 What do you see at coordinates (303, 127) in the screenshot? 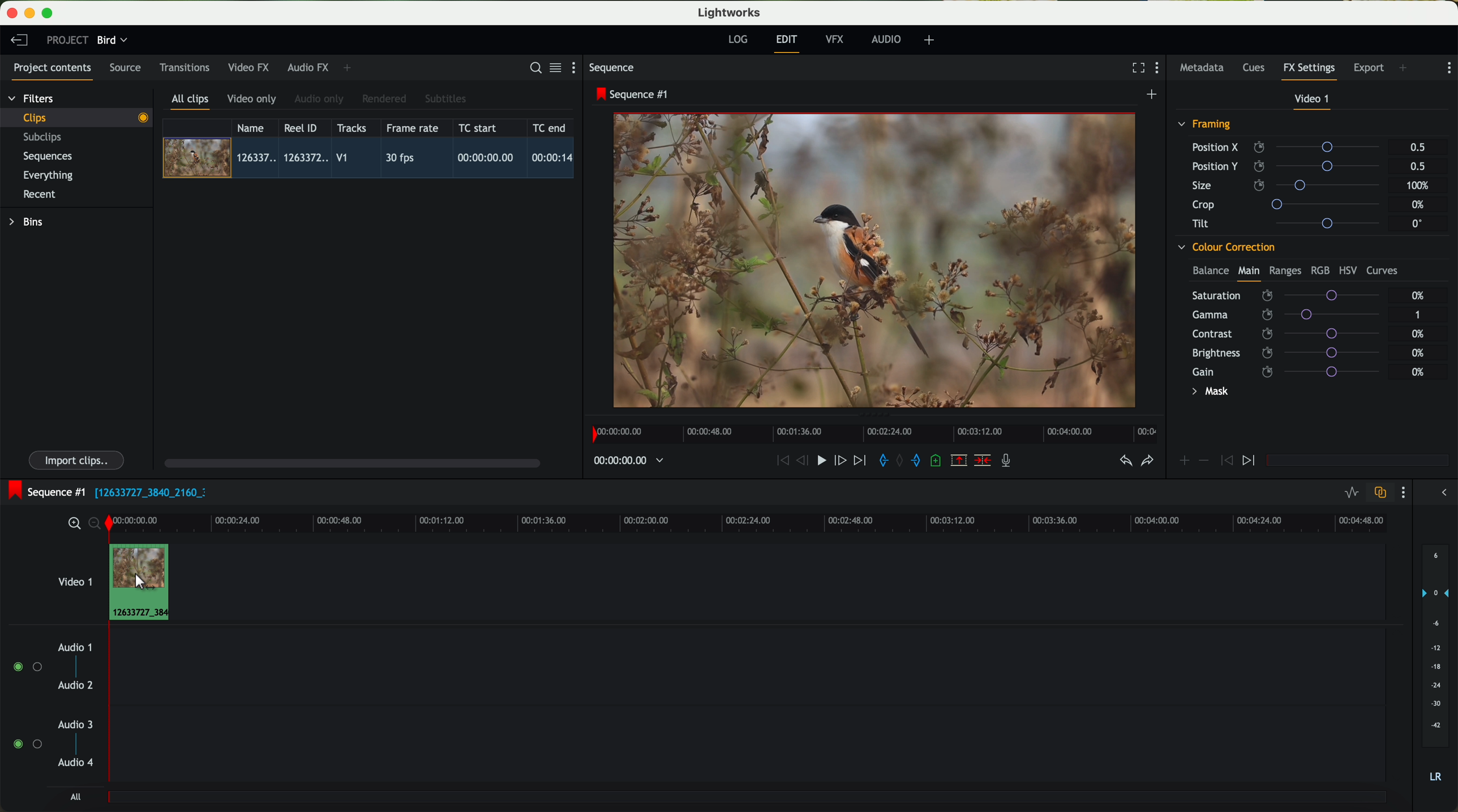
I see `Reel ID` at bounding box center [303, 127].